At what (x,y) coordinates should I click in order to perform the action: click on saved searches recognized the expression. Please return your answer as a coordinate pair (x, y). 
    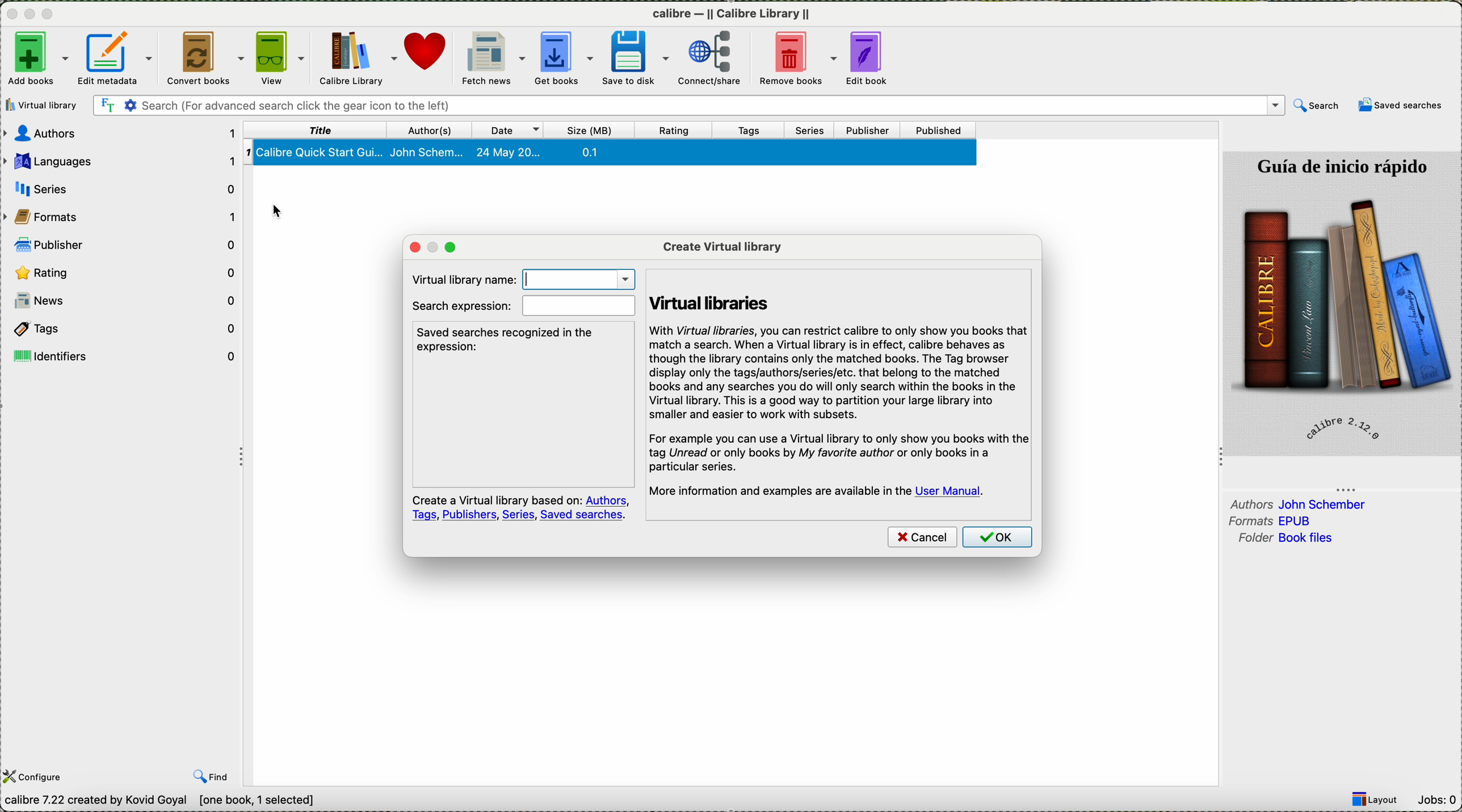
    Looking at the image, I should click on (509, 339).